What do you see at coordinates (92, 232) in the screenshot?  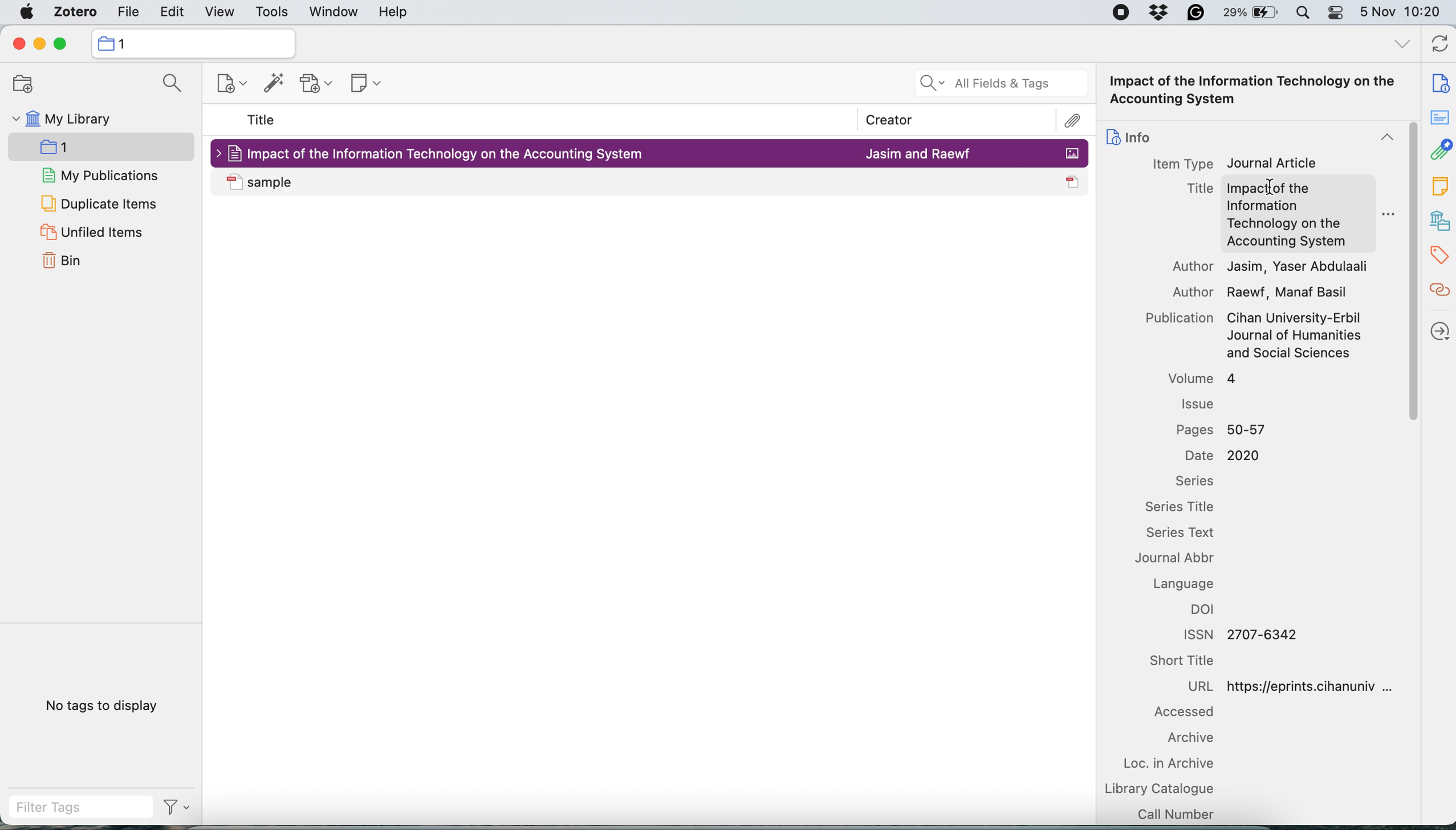 I see `unfiled items` at bounding box center [92, 232].